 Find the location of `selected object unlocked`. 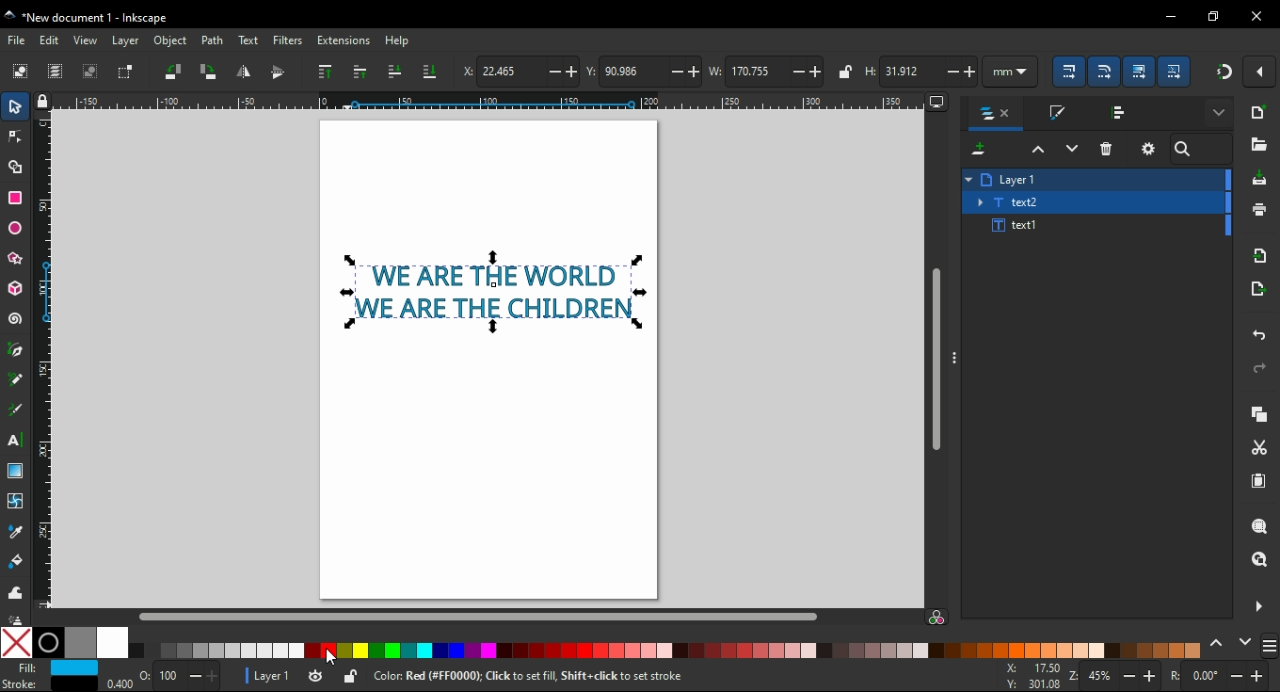

selected object unlocked is located at coordinates (350, 677).